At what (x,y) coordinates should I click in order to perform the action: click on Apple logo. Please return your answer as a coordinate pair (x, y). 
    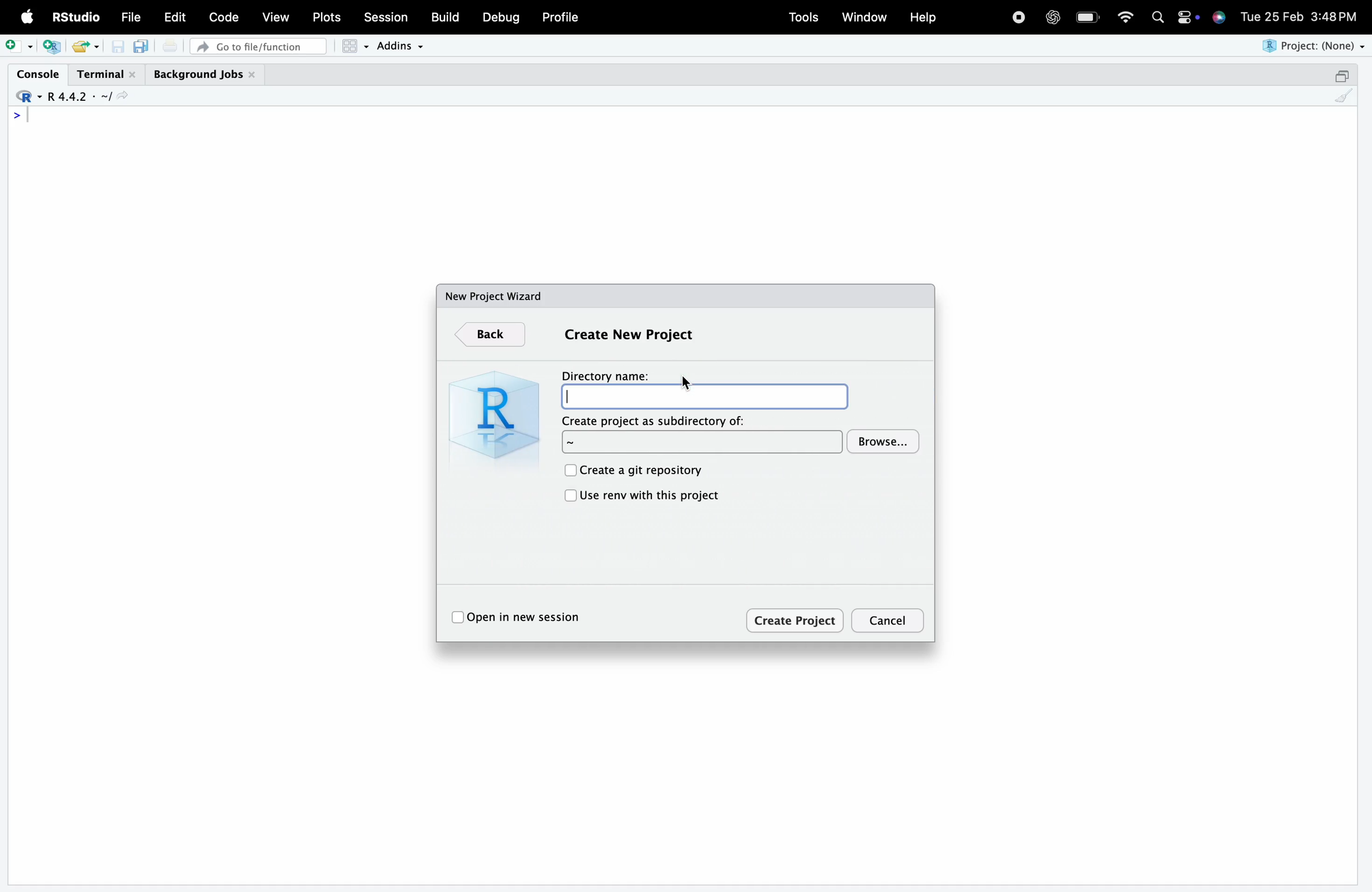
    Looking at the image, I should click on (28, 17).